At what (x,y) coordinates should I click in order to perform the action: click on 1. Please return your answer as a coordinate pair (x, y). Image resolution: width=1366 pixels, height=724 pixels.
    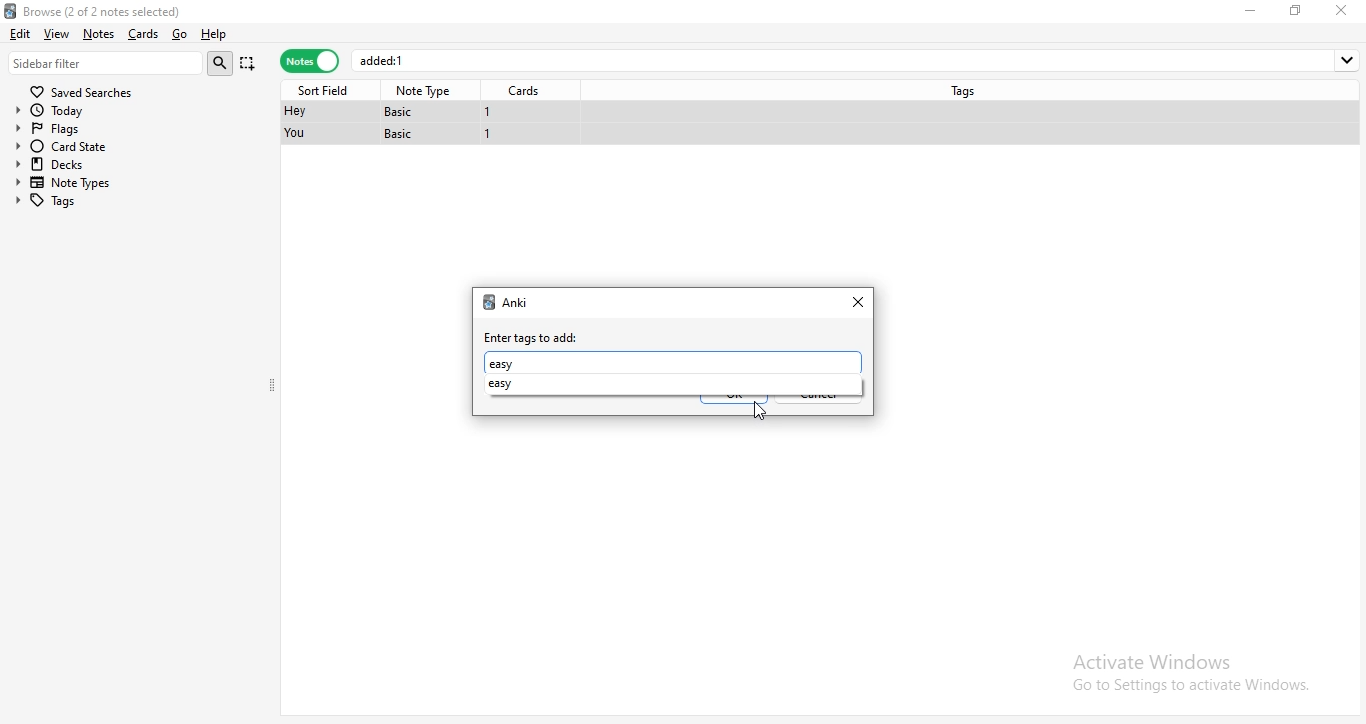
    Looking at the image, I should click on (490, 136).